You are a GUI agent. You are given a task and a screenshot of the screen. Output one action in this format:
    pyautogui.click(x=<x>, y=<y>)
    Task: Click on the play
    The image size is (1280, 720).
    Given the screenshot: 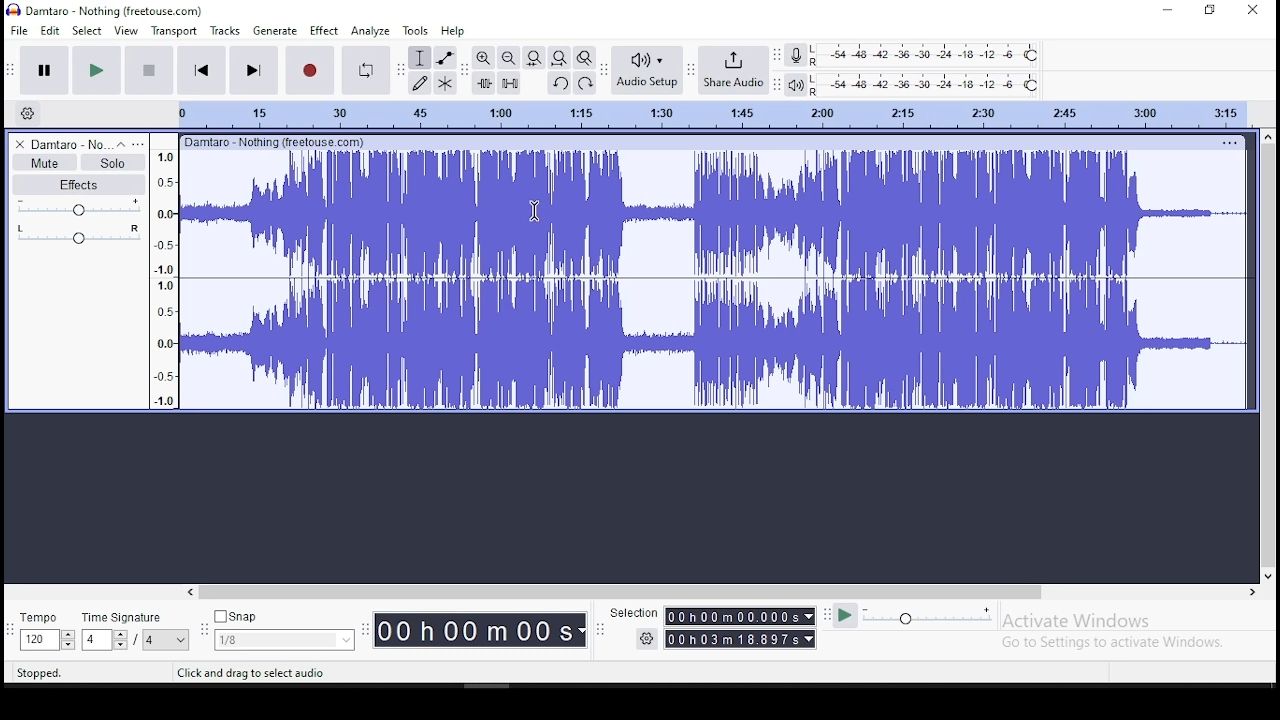 What is the action you would take?
    pyautogui.click(x=100, y=69)
    